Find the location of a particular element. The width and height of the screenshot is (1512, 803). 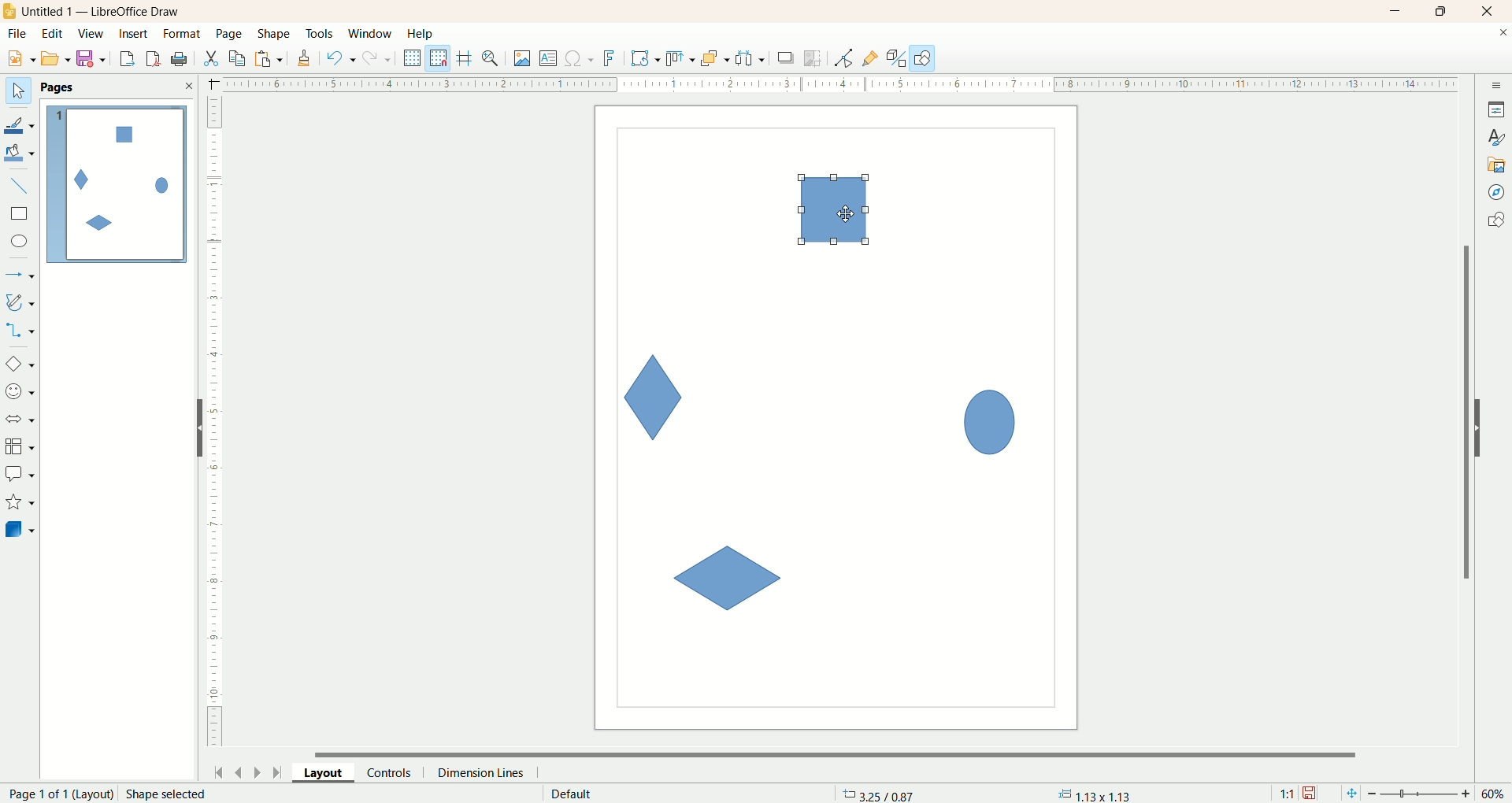

cursor is located at coordinates (847, 214).